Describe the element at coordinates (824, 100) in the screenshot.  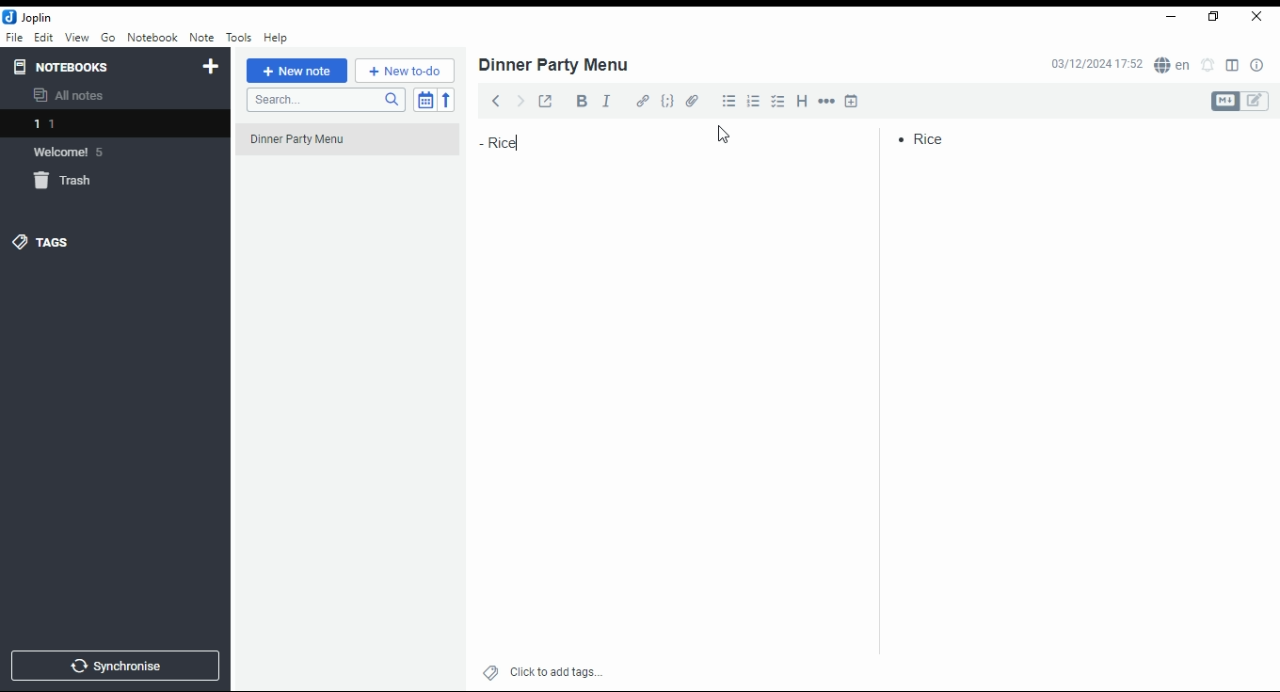
I see `horizontal rule` at that location.